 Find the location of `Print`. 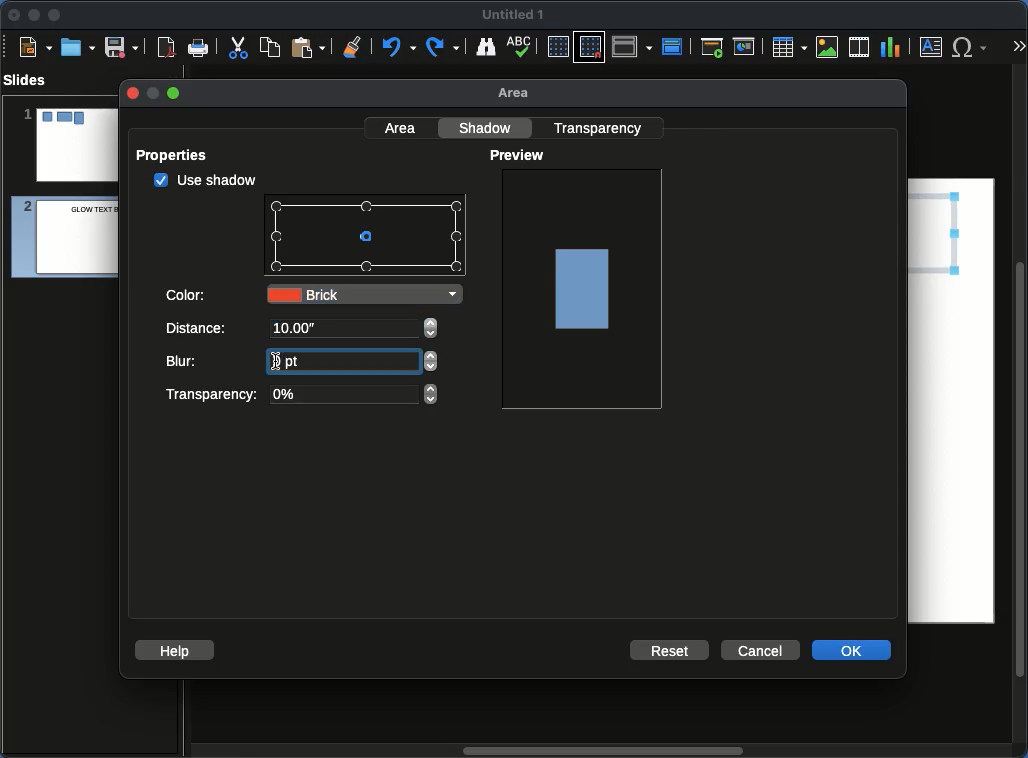

Print is located at coordinates (199, 49).